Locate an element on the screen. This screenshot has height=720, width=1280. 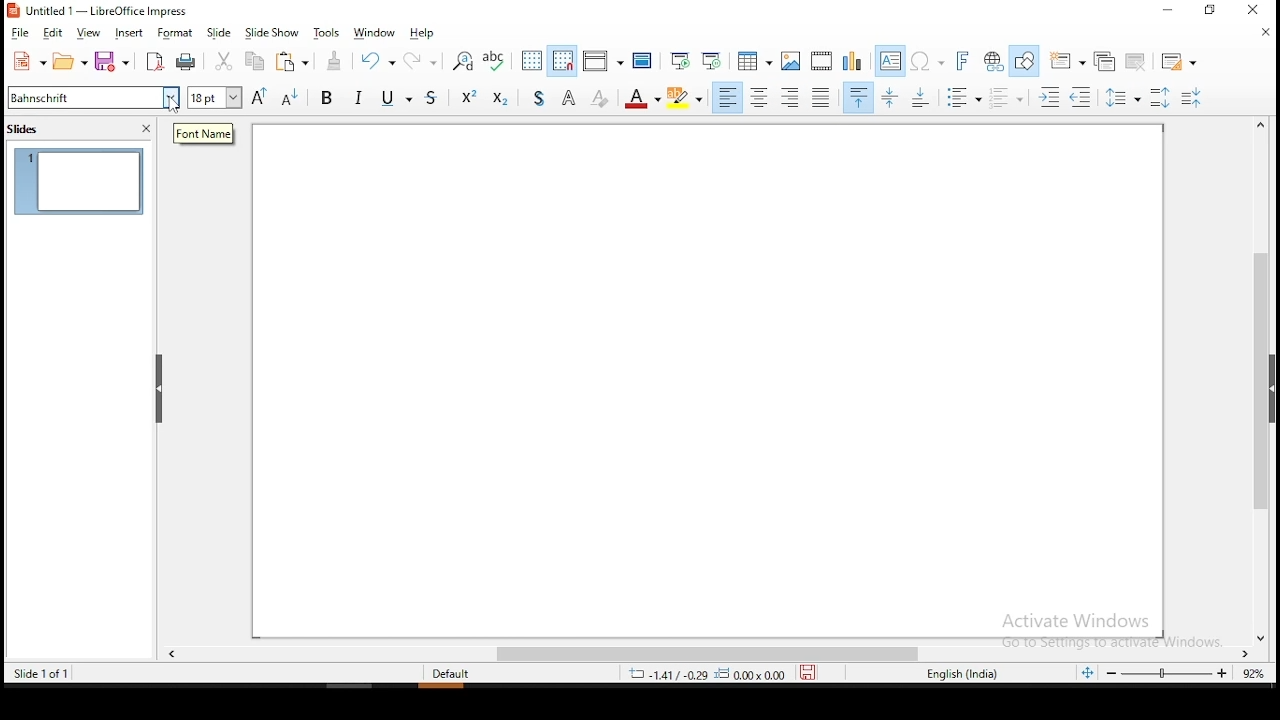
duplicate slide is located at coordinates (1108, 60).